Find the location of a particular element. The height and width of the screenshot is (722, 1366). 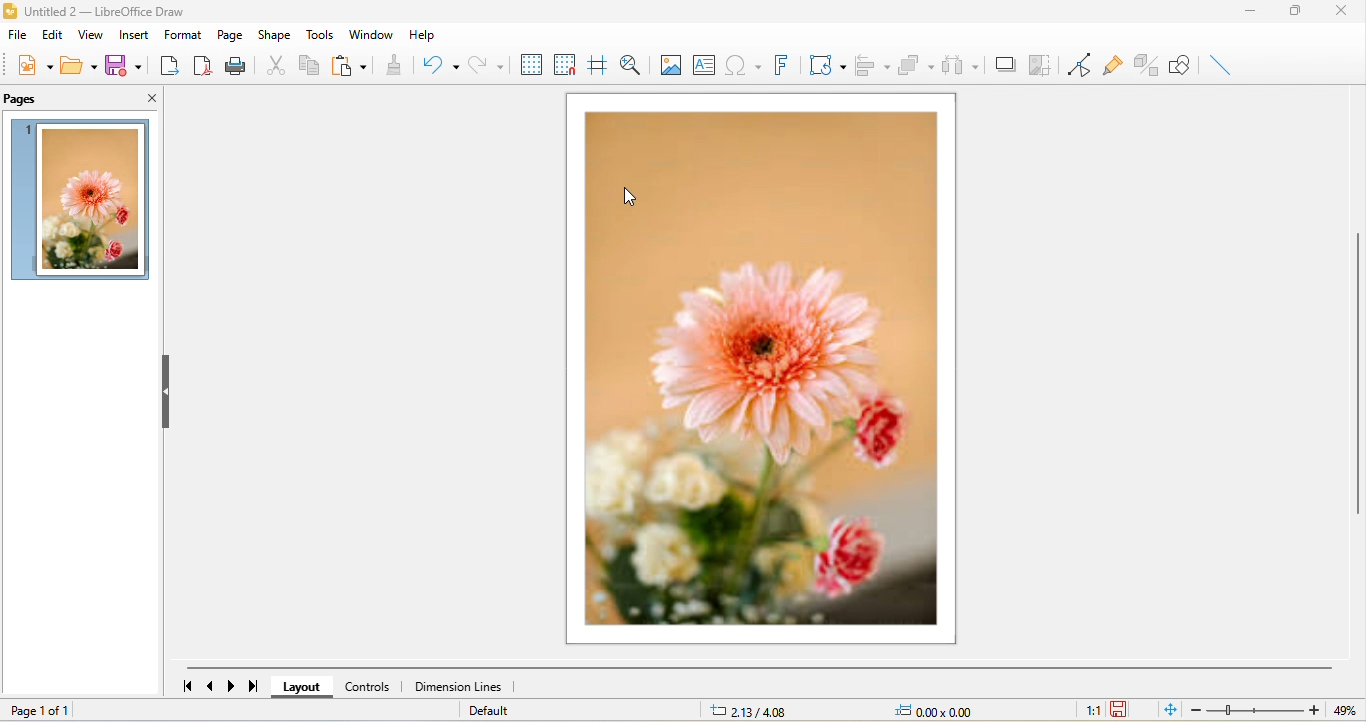

display to grid is located at coordinates (534, 62).